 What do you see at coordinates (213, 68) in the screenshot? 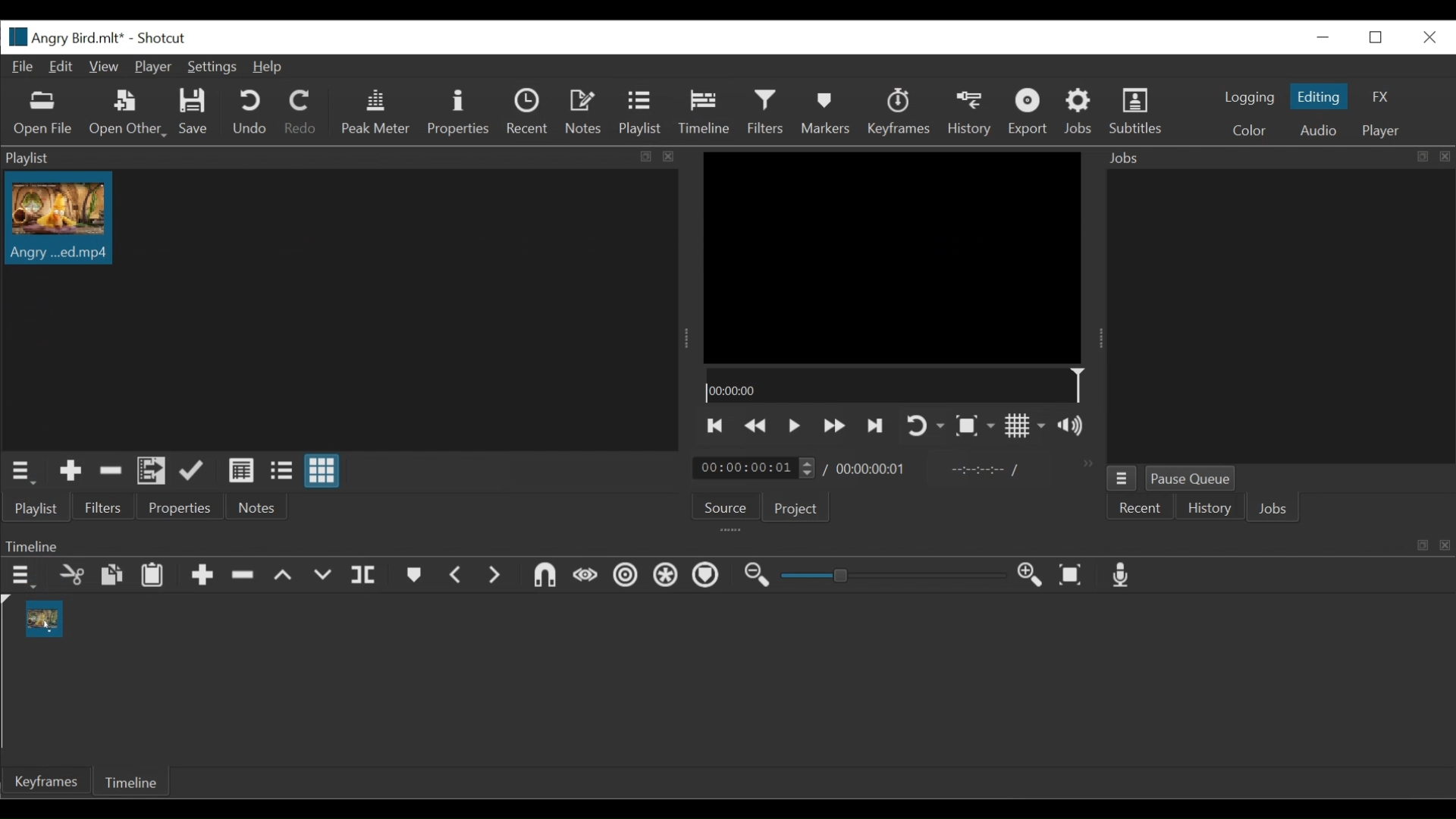
I see `Settings` at bounding box center [213, 68].